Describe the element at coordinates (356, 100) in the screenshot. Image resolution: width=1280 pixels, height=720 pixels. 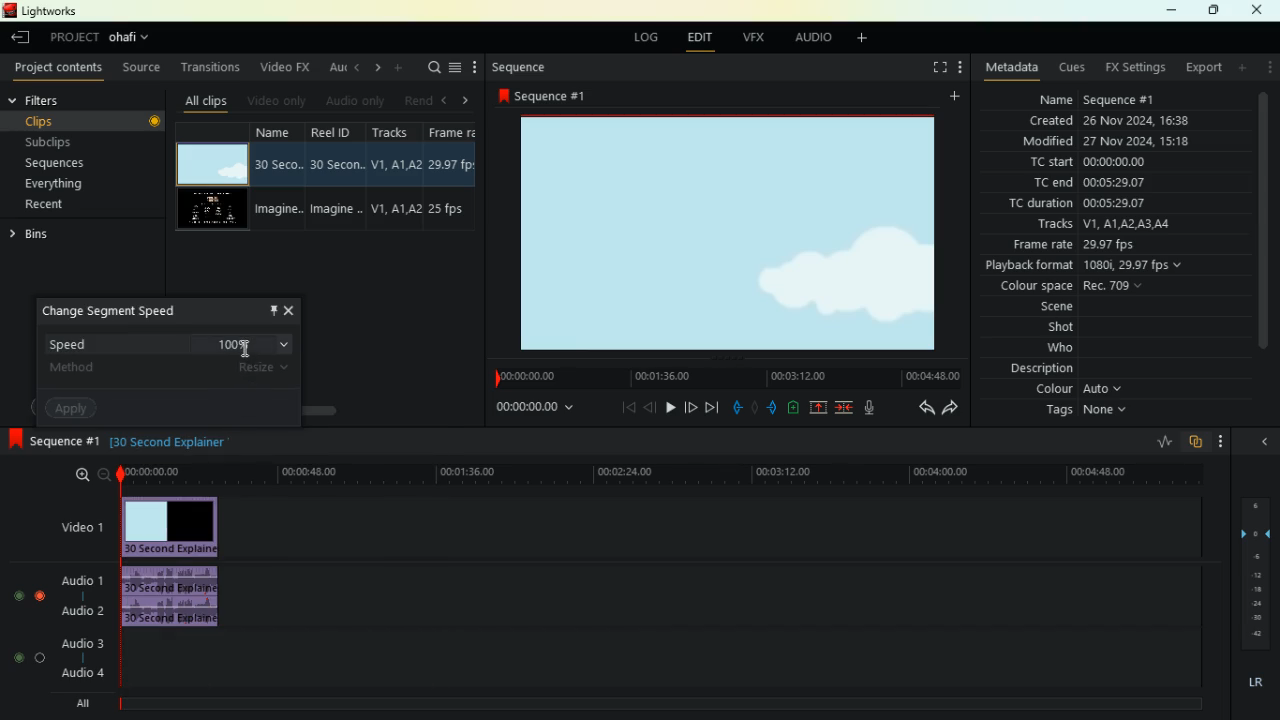
I see `audio only` at that location.